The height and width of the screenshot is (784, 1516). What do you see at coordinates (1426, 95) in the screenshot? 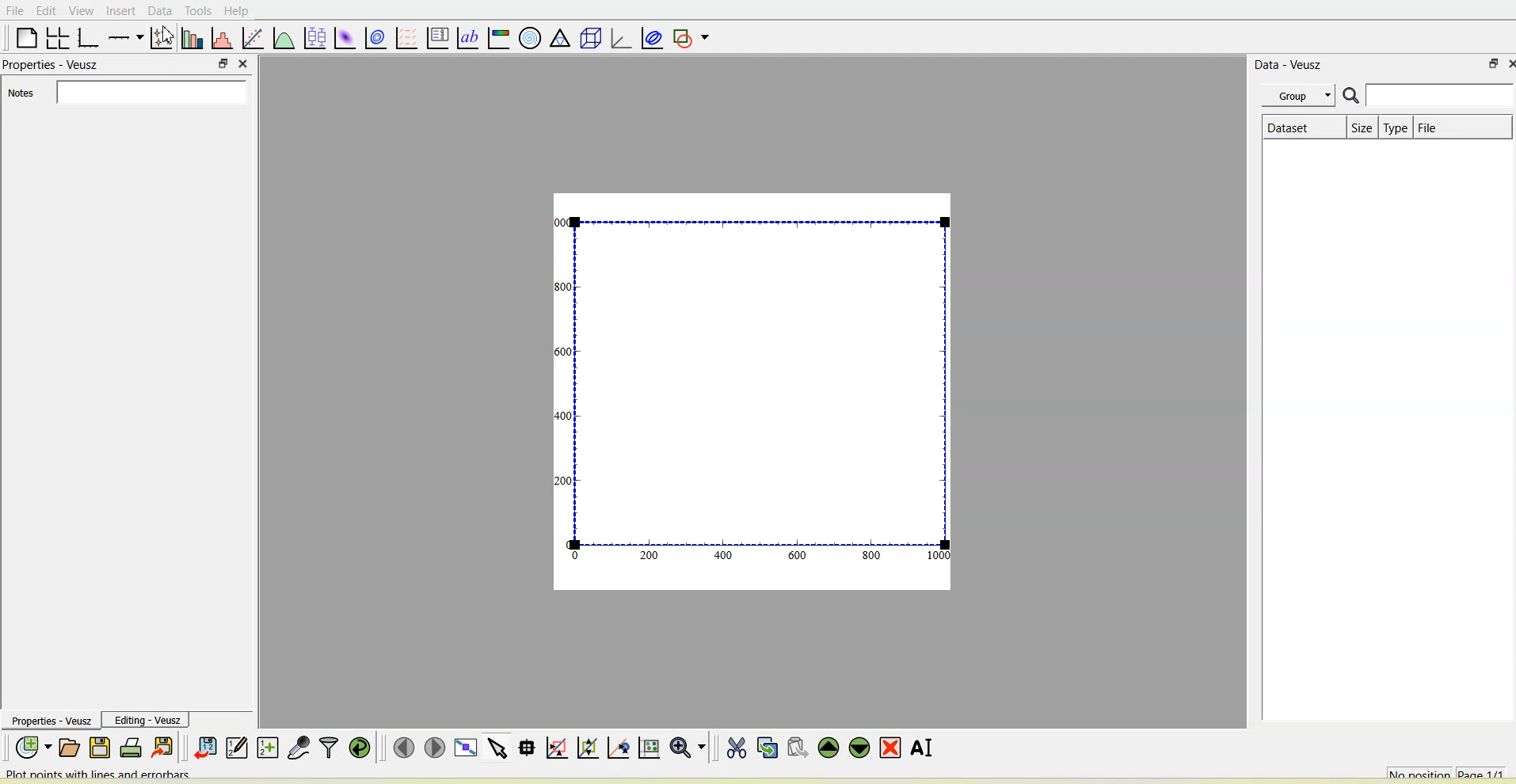
I see `Search bar` at bounding box center [1426, 95].